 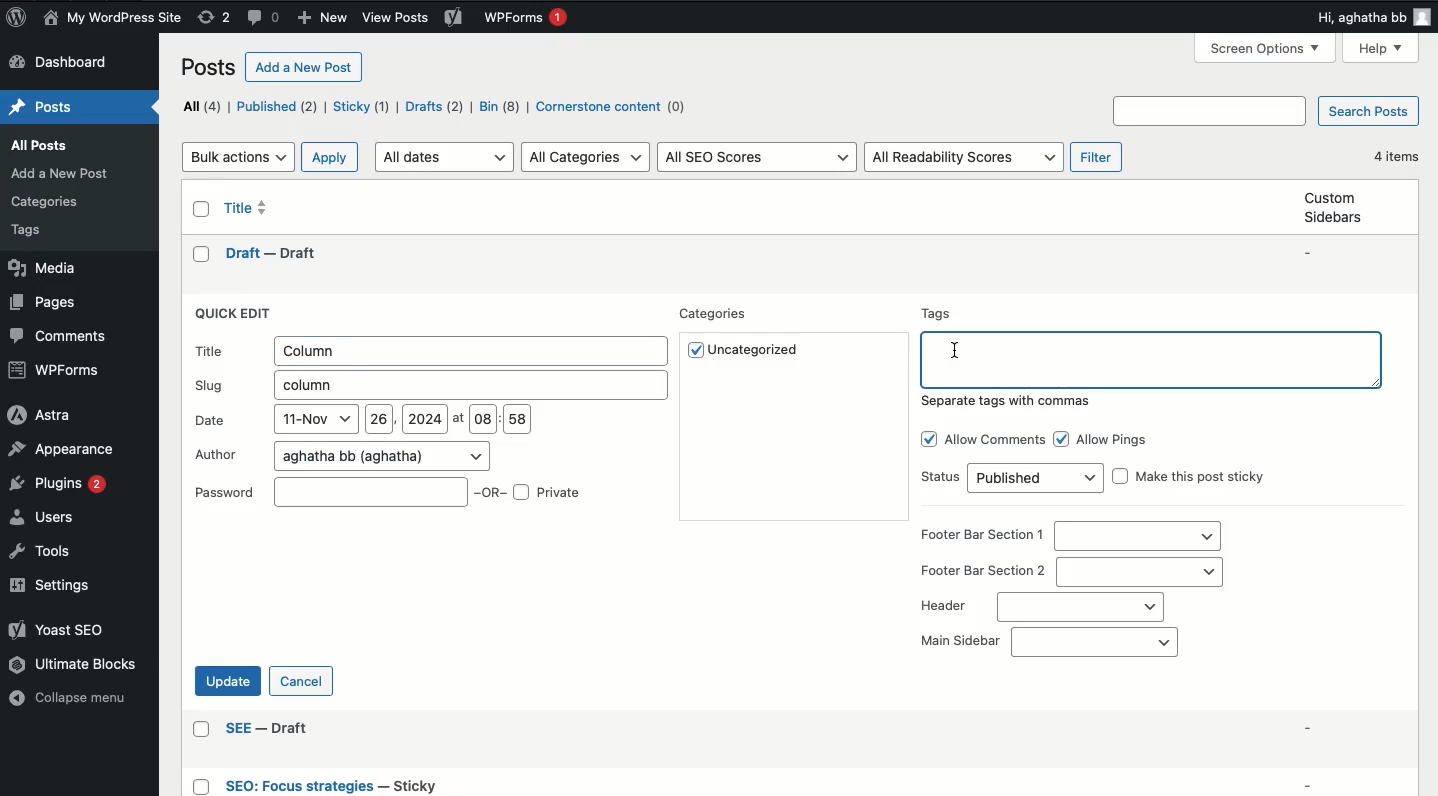 I want to click on Collapse menu, so click(x=74, y=702).